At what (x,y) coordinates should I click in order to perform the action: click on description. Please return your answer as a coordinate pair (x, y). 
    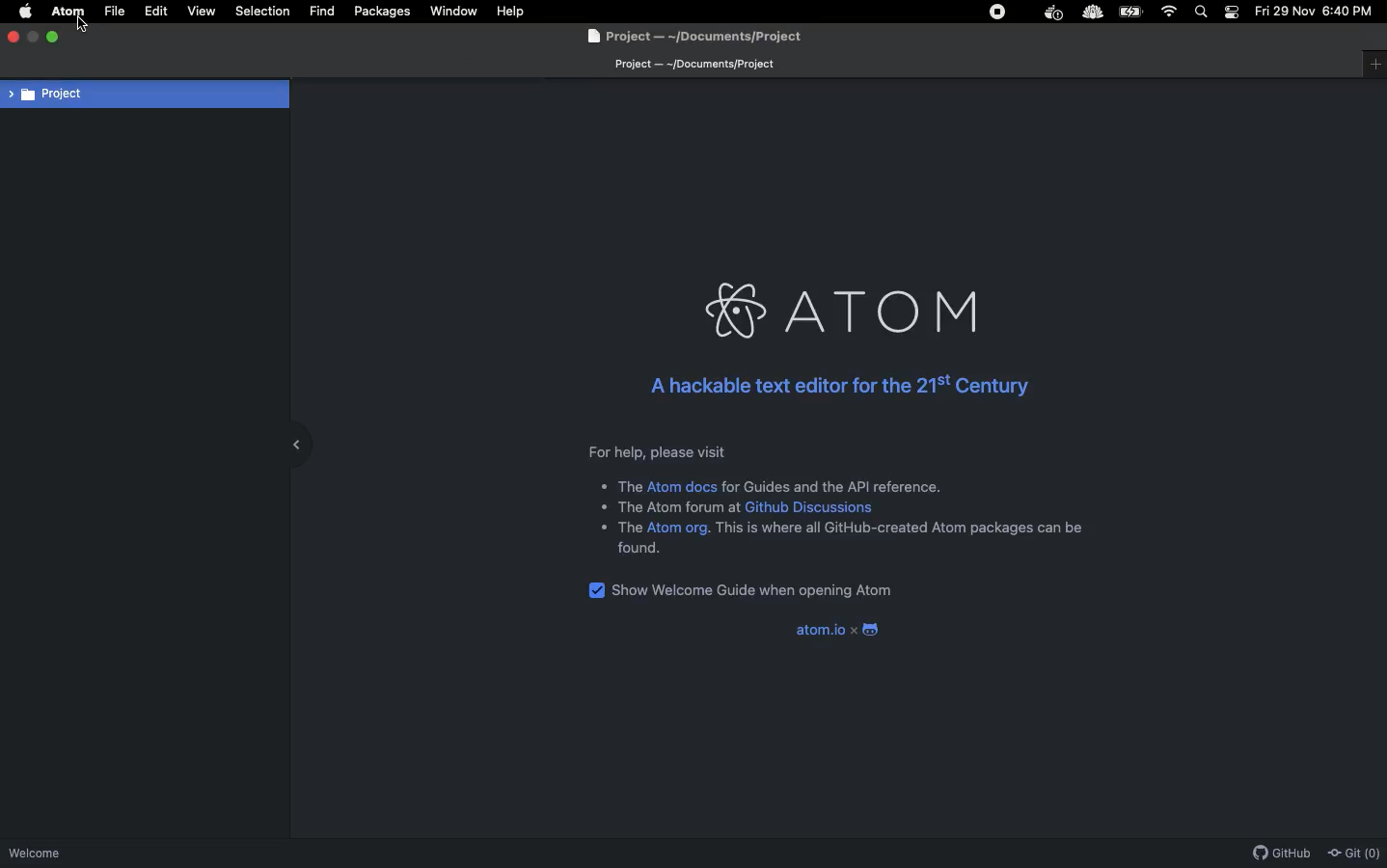
    Looking at the image, I should click on (904, 528).